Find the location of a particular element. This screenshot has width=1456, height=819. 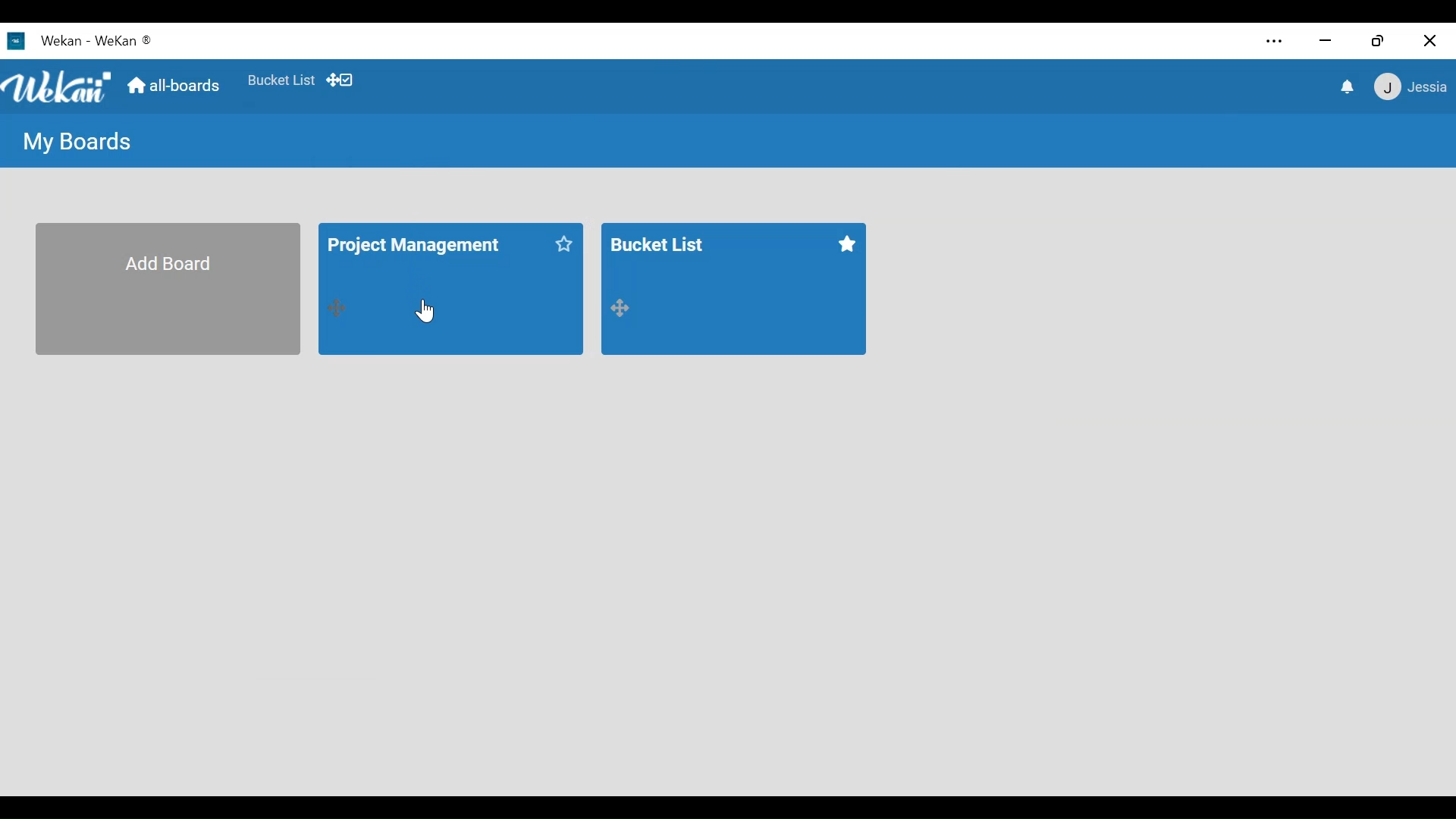

Settings and more is located at coordinates (1275, 42).